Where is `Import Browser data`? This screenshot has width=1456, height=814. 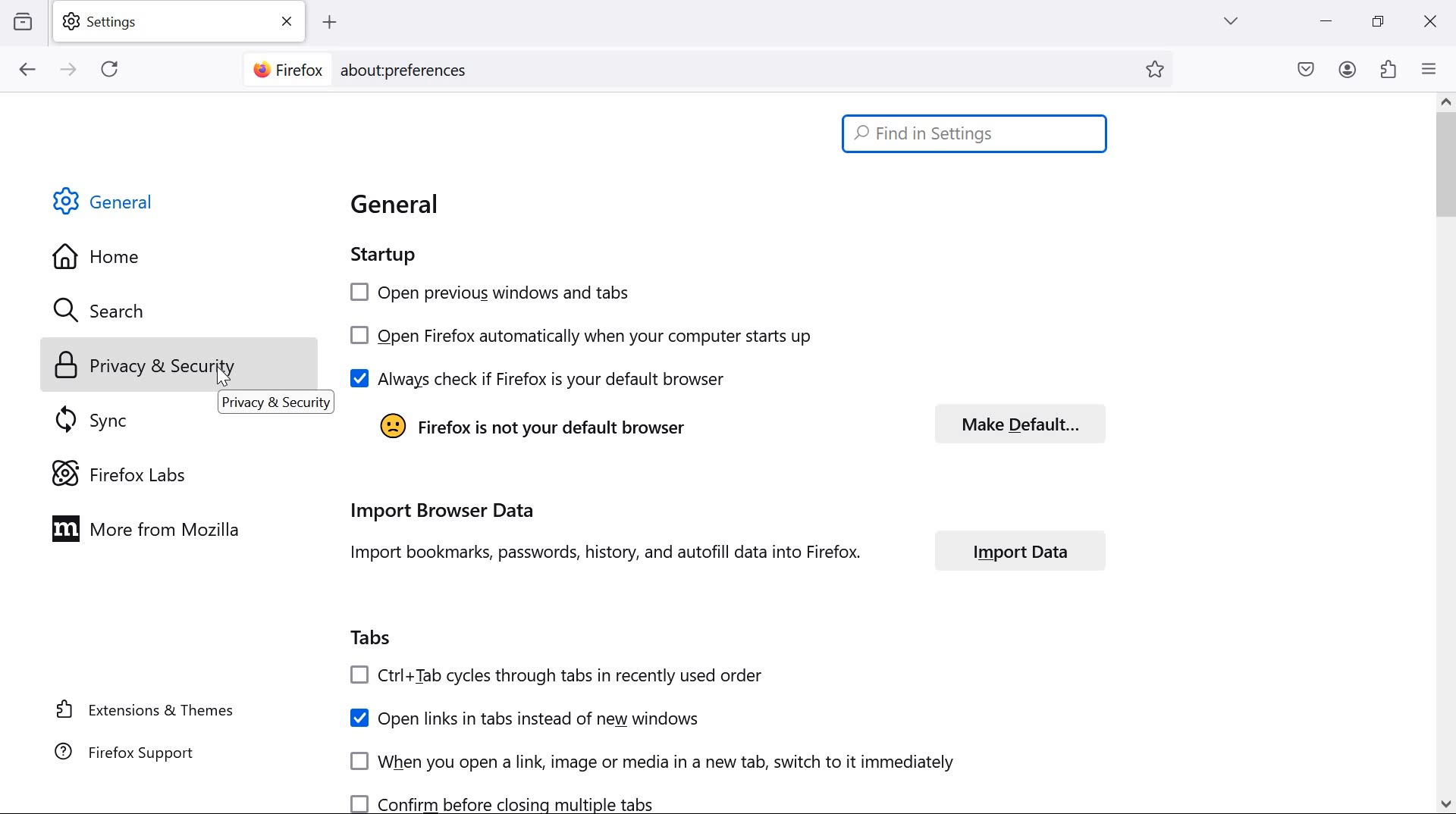
Import Browser data is located at coordinates (604, 509).